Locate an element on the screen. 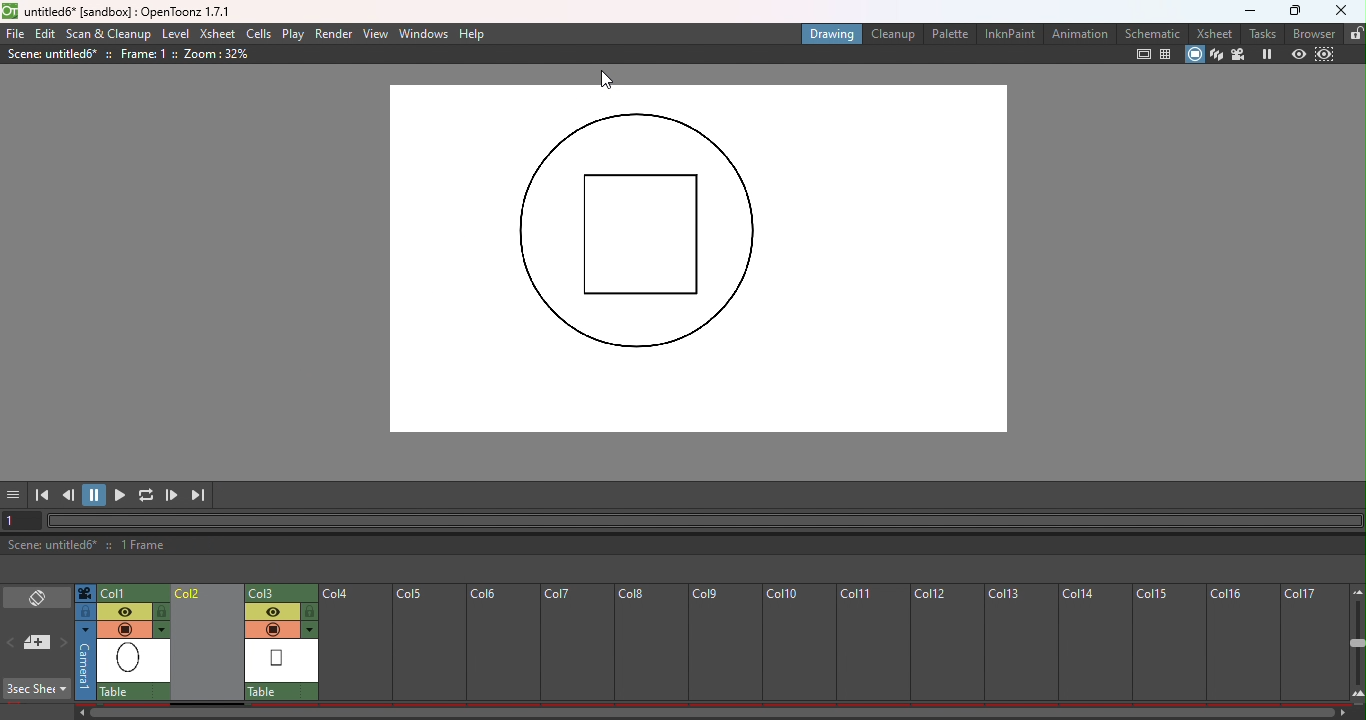  Pause is located at coordinates (96, 495).